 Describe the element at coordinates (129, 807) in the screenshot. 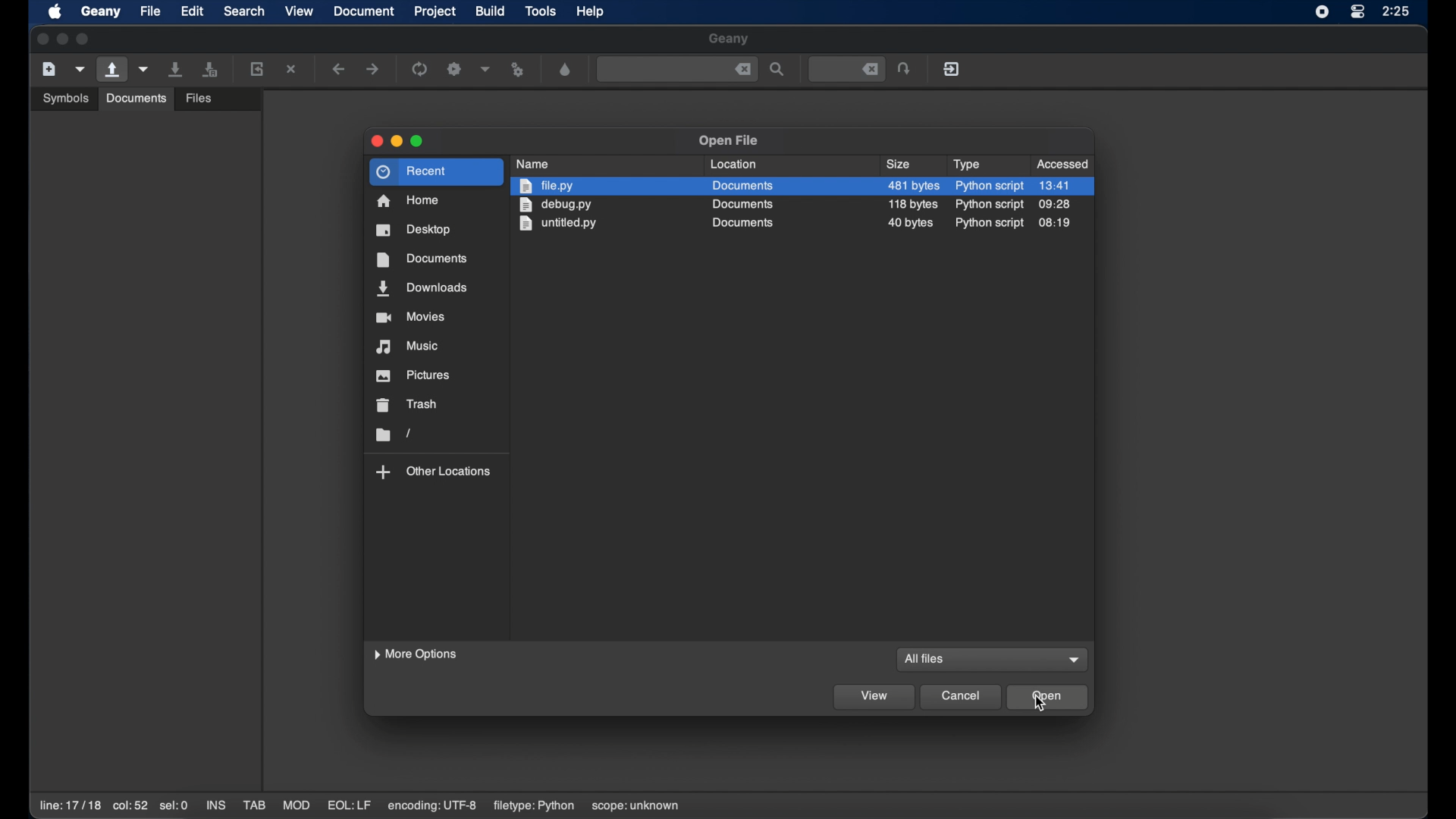

I see `col:52` at that location.